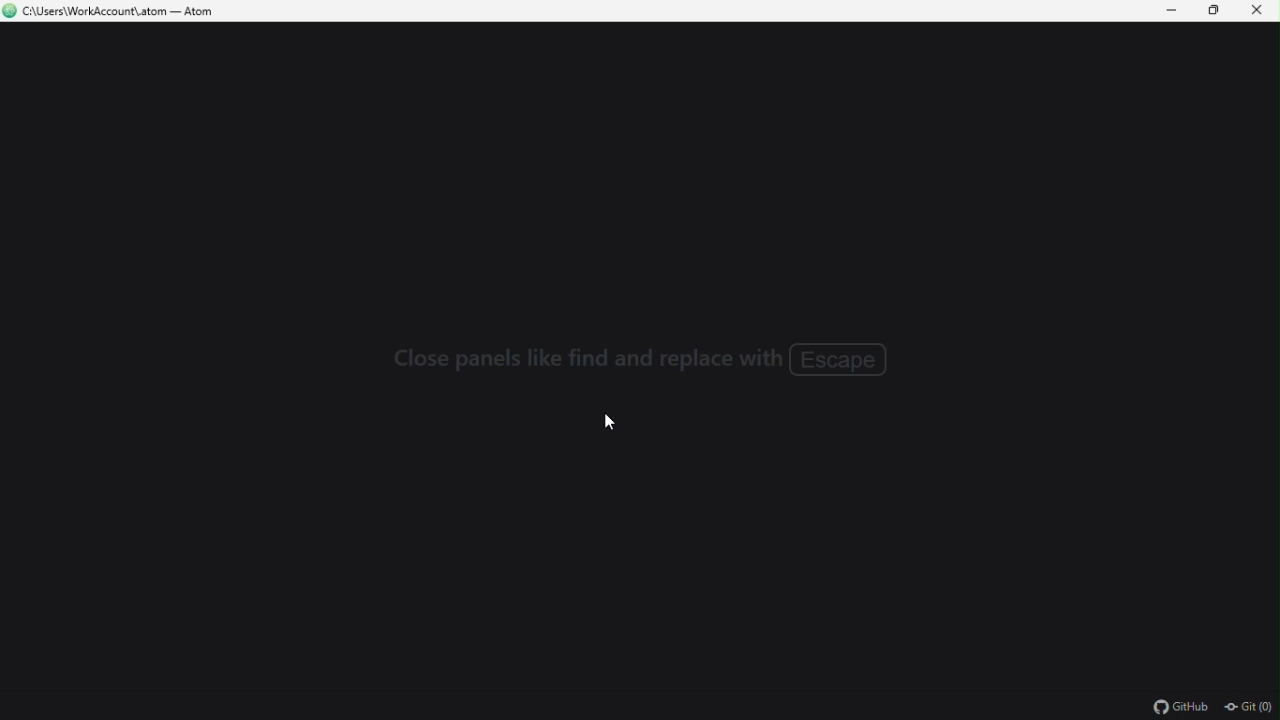 The width and height of the screenshot is (1280, 720). I want to click on git, so click(1250, 706).